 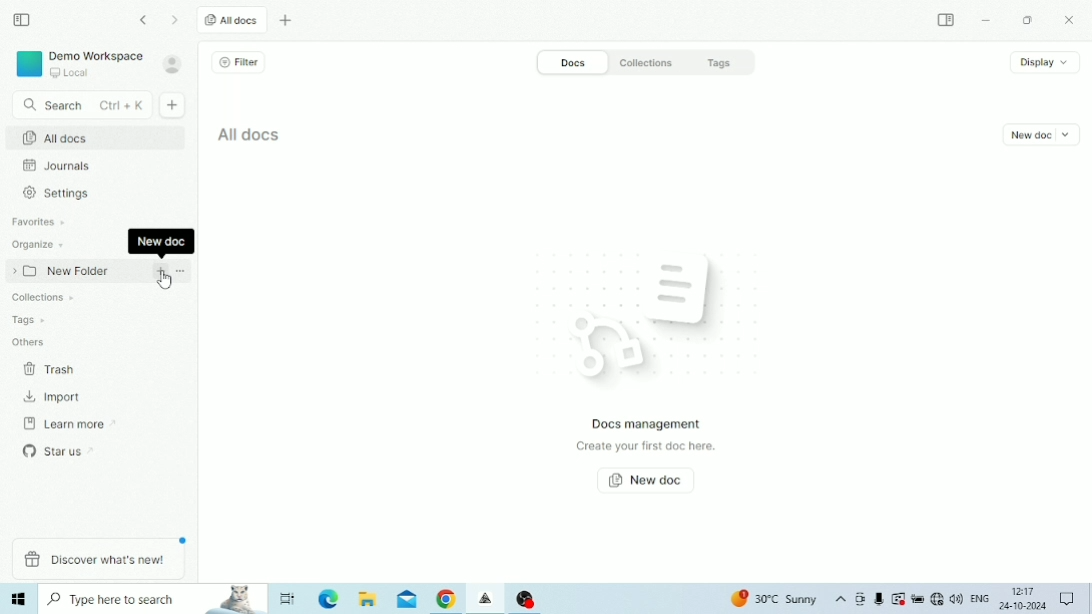 What do you see at coordinates (23, 20) in the screenshot?
I see `Collapse sidebar` at bounding box center [23, 20].